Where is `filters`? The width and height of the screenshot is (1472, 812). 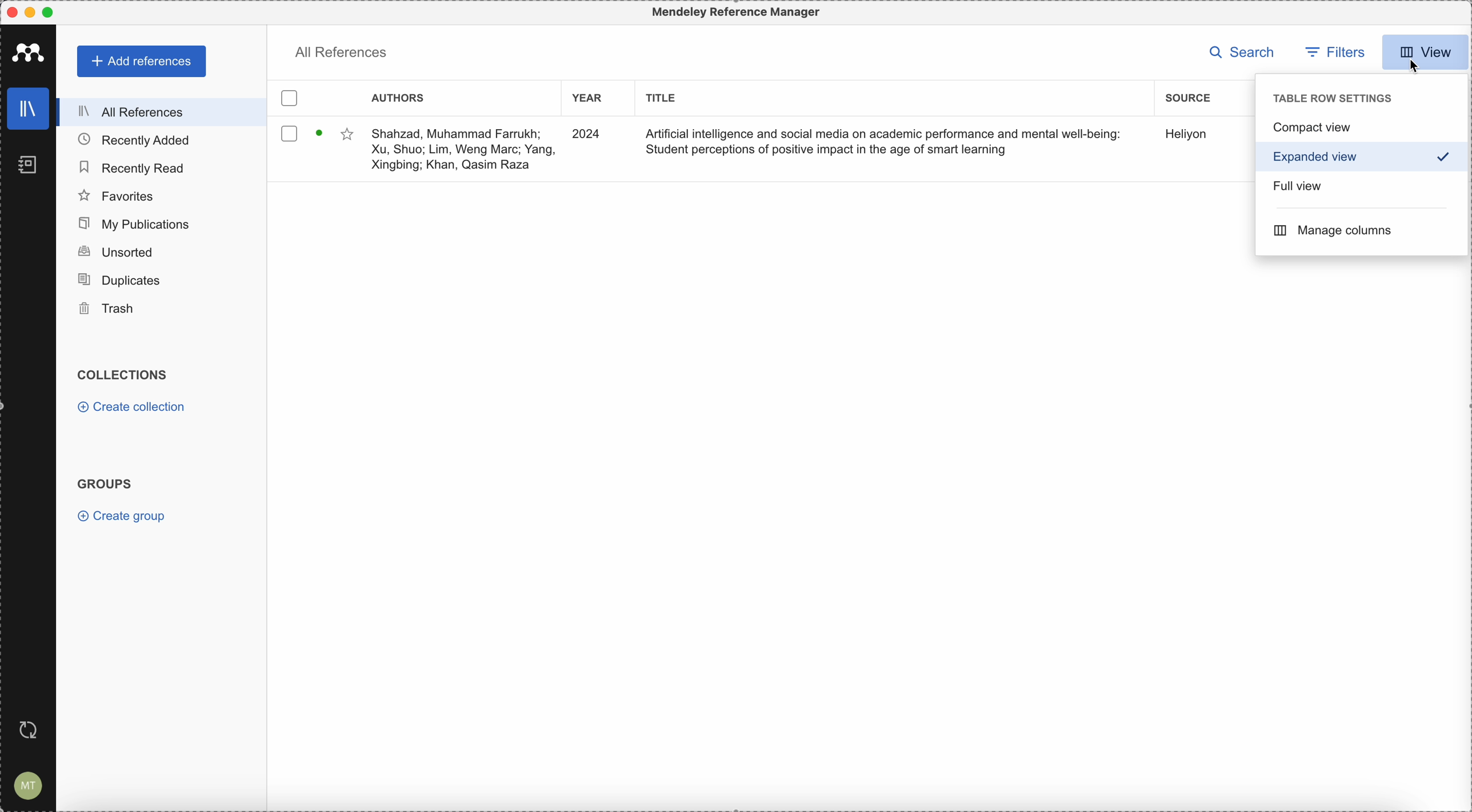
filters is located at coordinates (1337, 52).